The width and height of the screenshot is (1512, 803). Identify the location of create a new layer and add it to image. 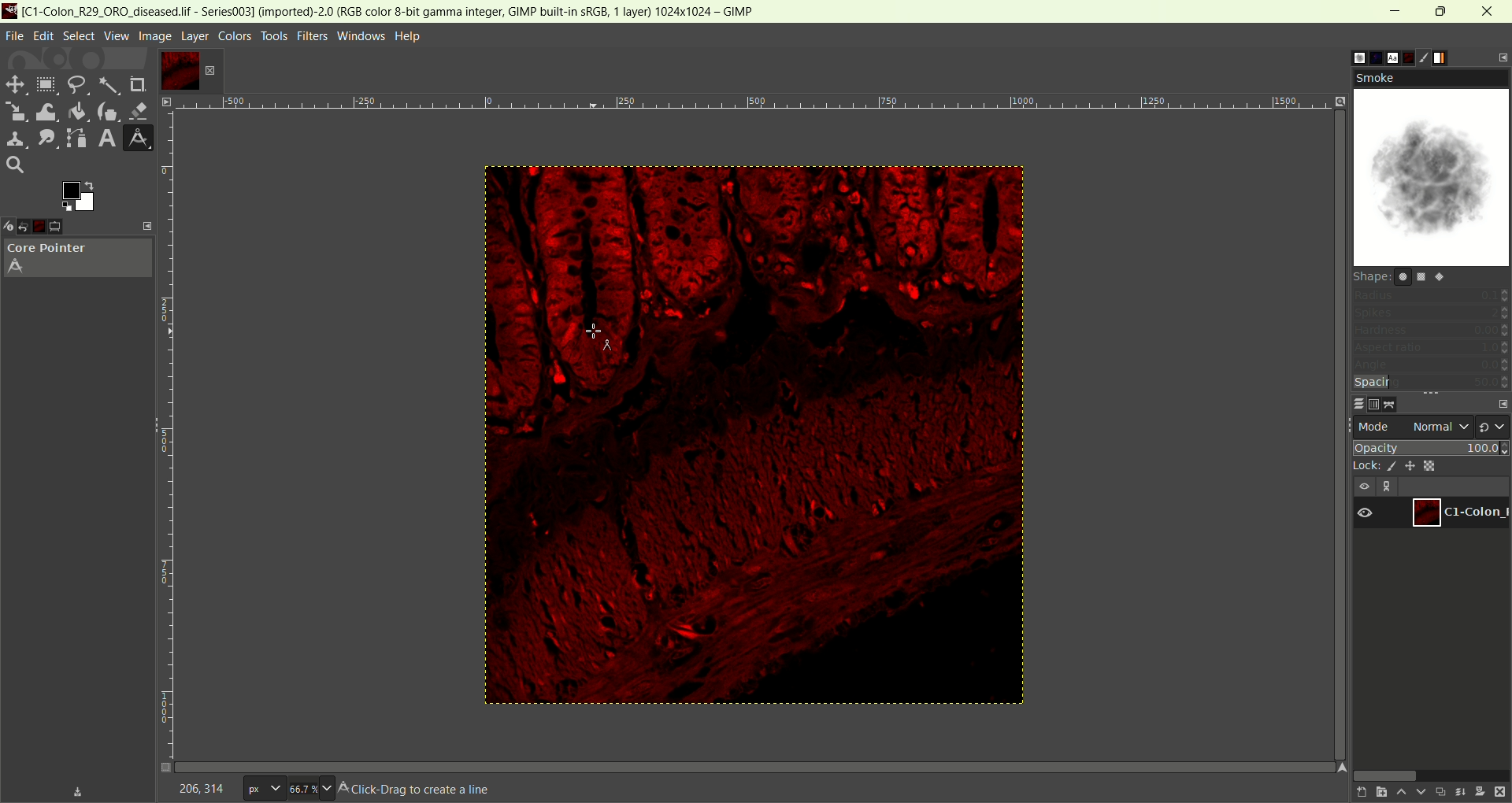
(1377, 793).